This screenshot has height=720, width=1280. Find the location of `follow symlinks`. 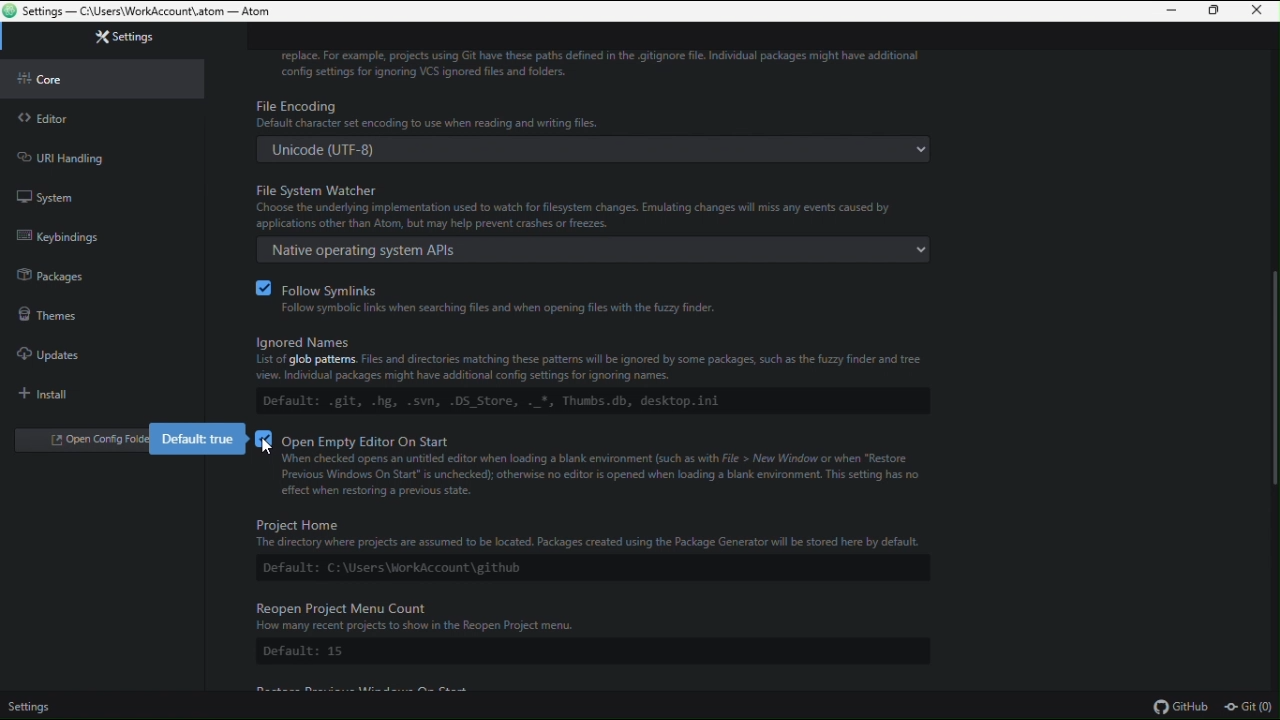

follow symlinks is located at coordinates (604, 297).